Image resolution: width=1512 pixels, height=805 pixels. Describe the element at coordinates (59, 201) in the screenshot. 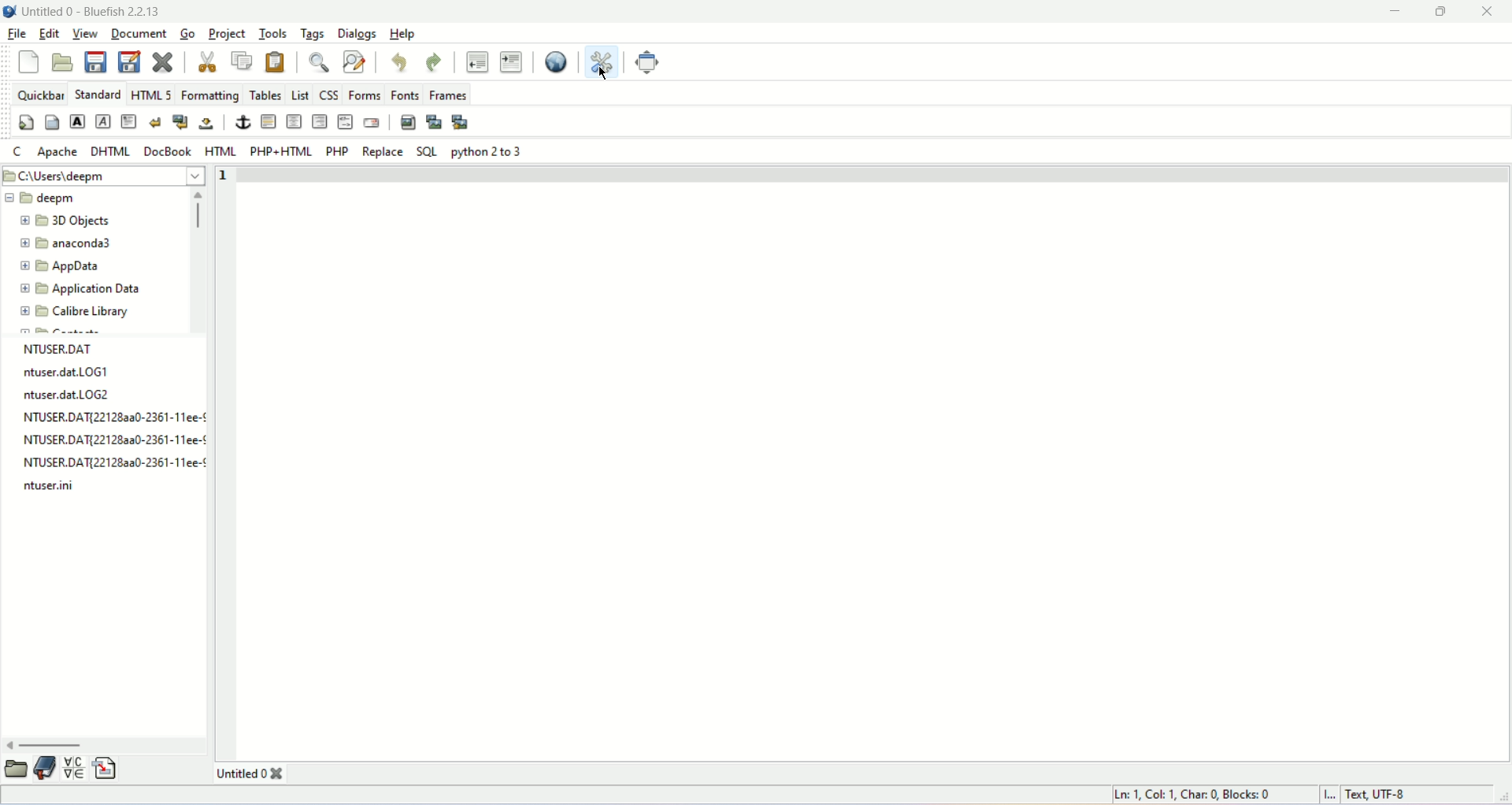

I see `deepm` at that location.